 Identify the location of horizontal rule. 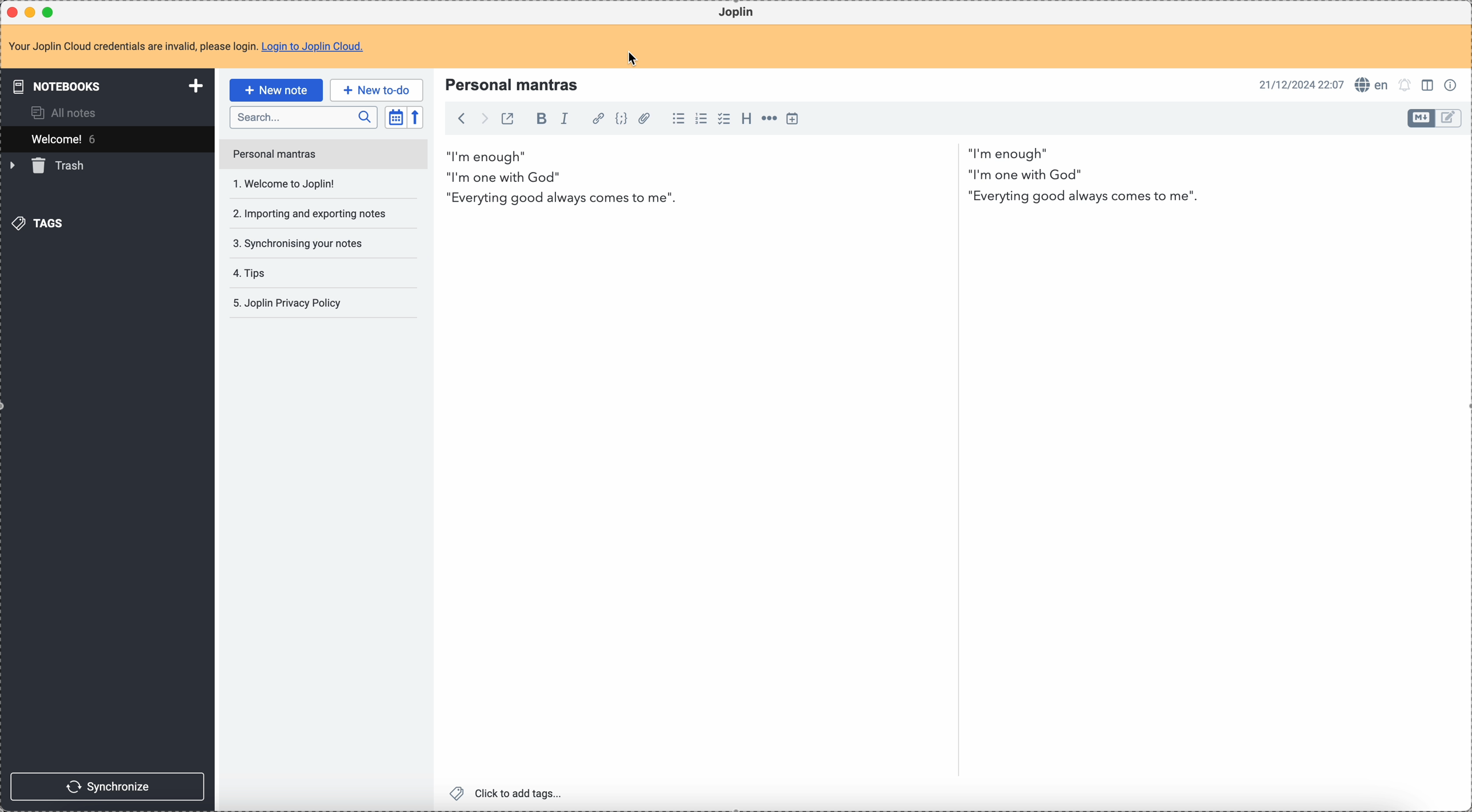
(769, 120).